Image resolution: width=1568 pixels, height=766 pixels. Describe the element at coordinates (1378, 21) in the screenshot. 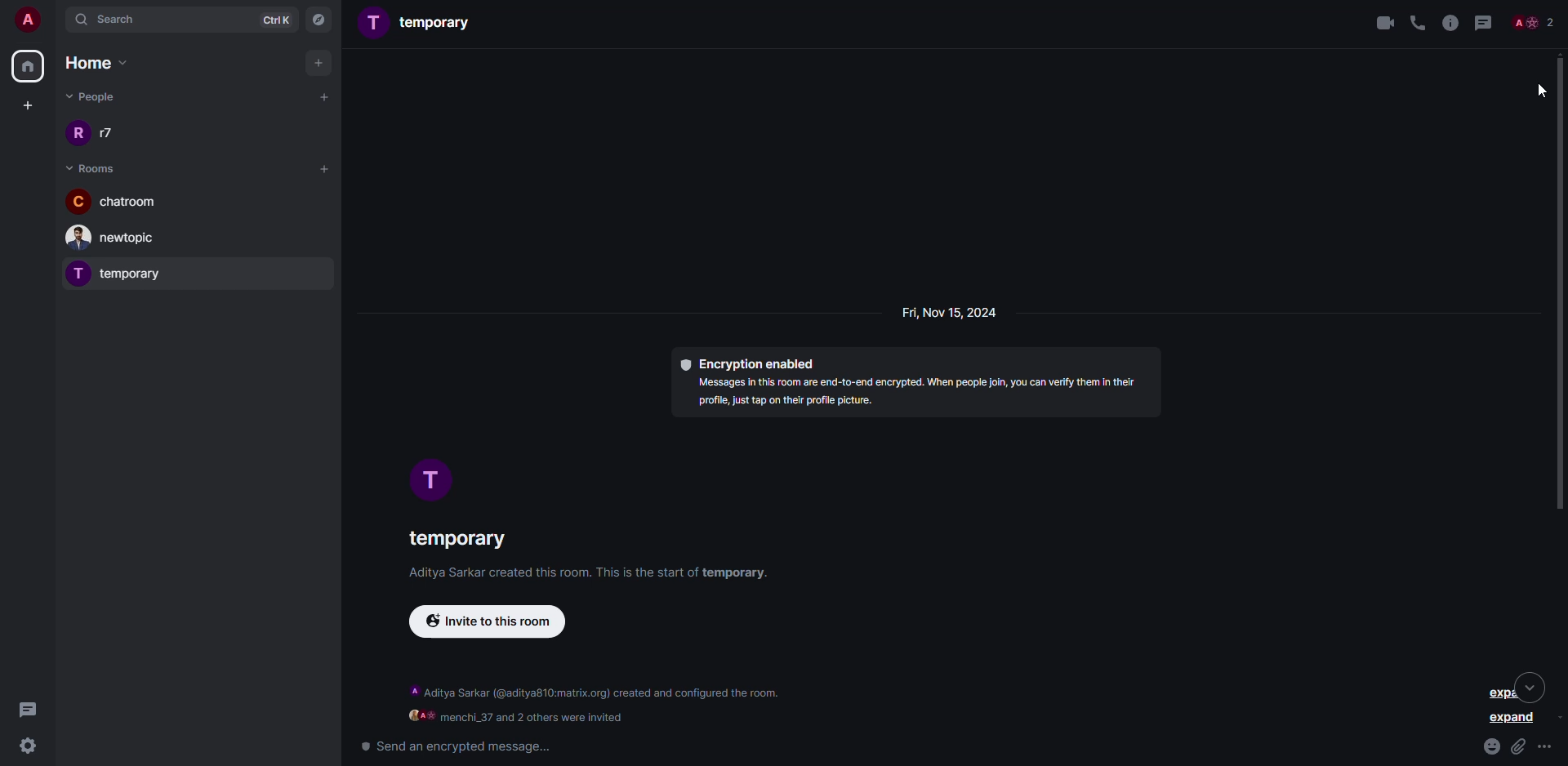

I see `video call` at that location.